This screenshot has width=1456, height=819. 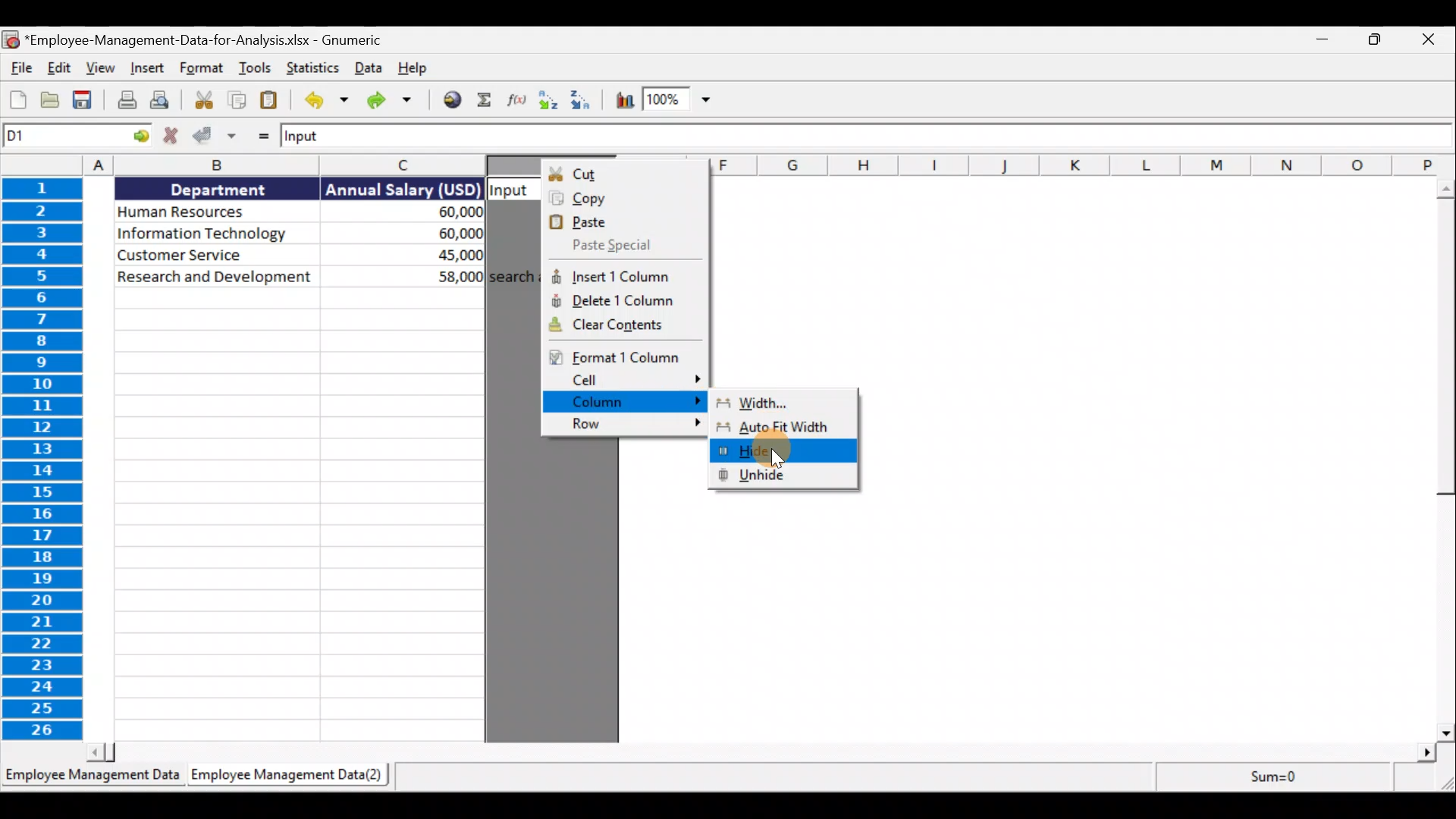 I want to click on Cancel change, so click(x=174, y=134).